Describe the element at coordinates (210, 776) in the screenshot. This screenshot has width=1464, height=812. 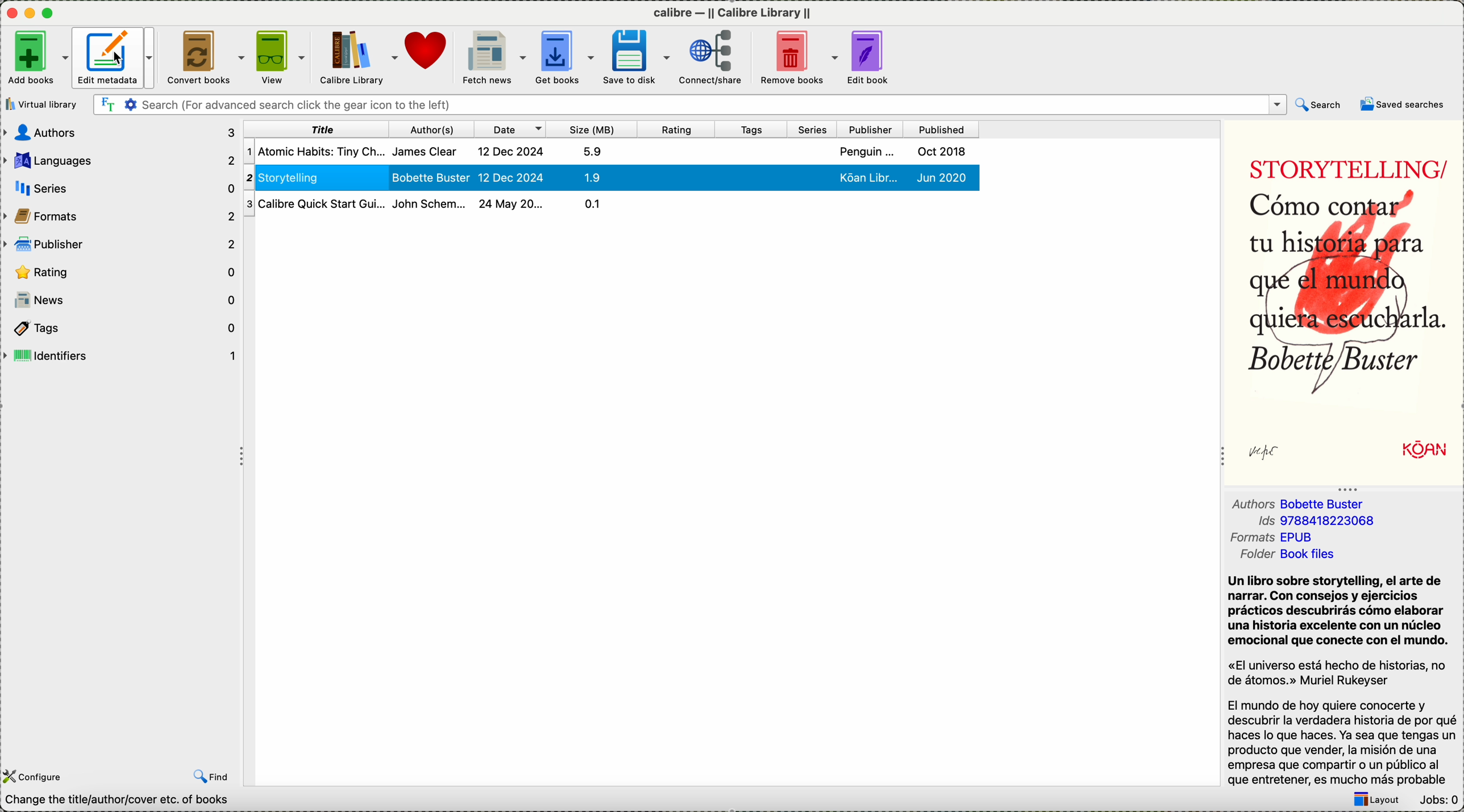
I see `find` at that location.